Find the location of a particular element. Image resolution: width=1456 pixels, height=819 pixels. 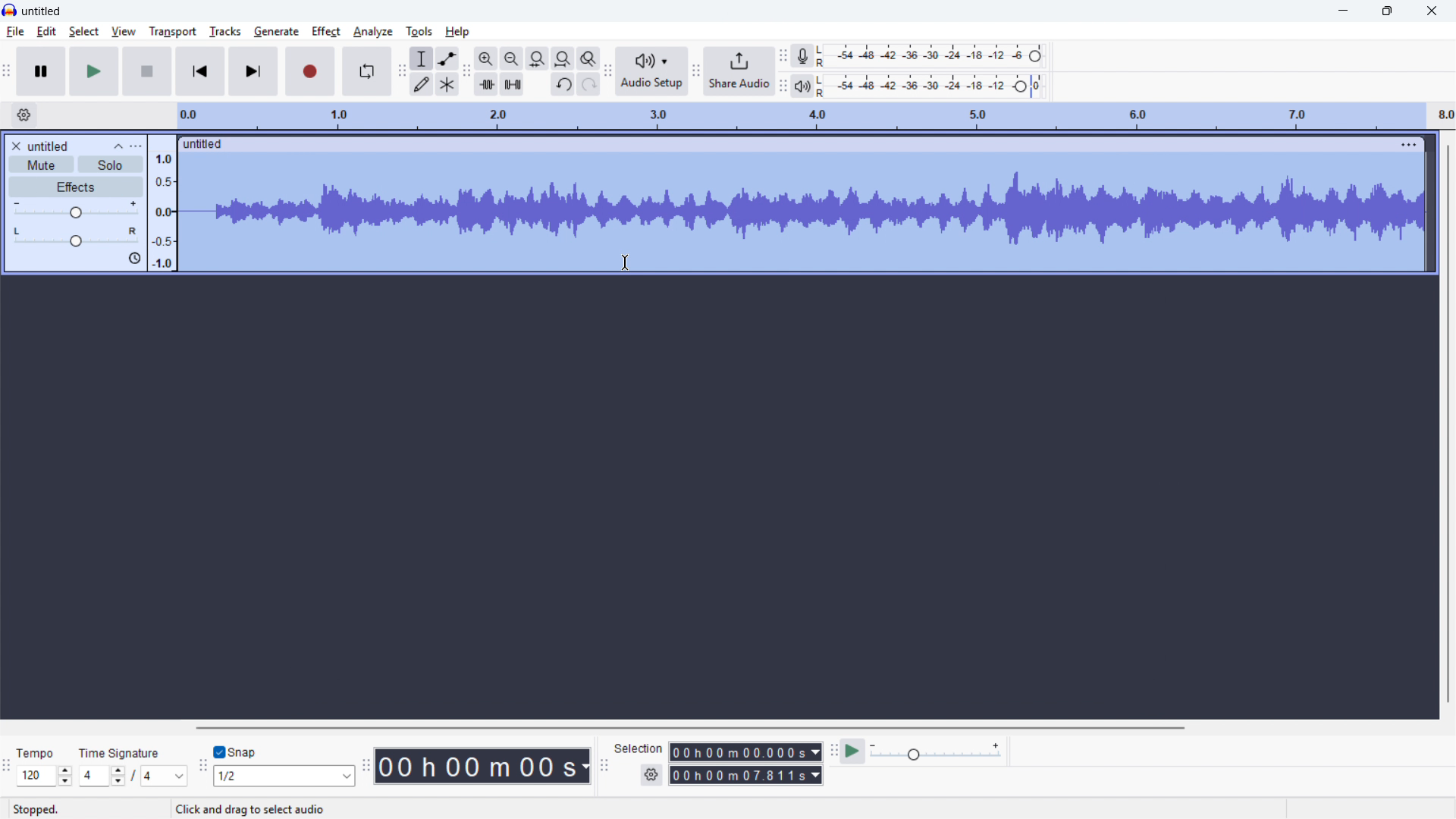

track control panel menu is located at coordinates (136, 146).